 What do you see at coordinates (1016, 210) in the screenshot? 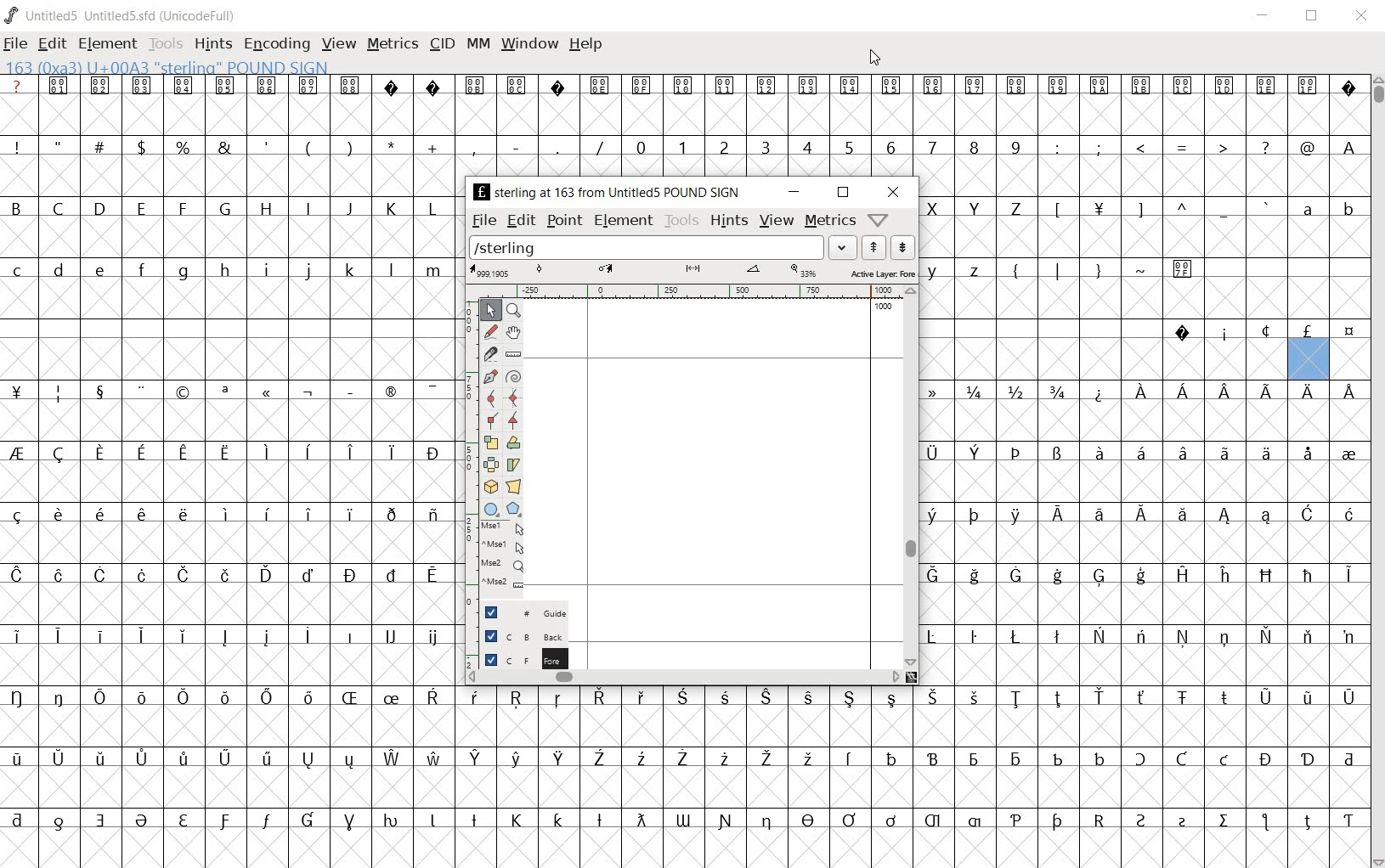
I see `Z` at bounding box center [1016, 210].